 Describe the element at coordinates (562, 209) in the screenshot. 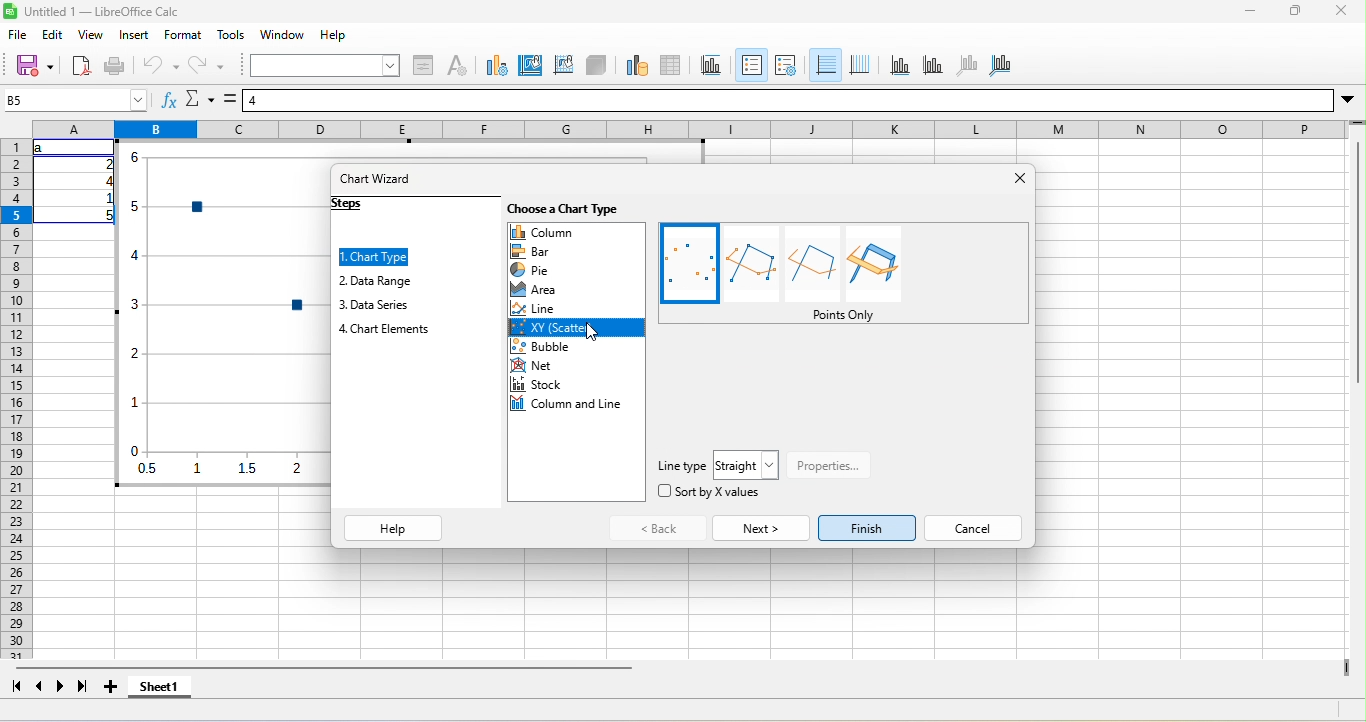

I see `choose a chart type` at that location.